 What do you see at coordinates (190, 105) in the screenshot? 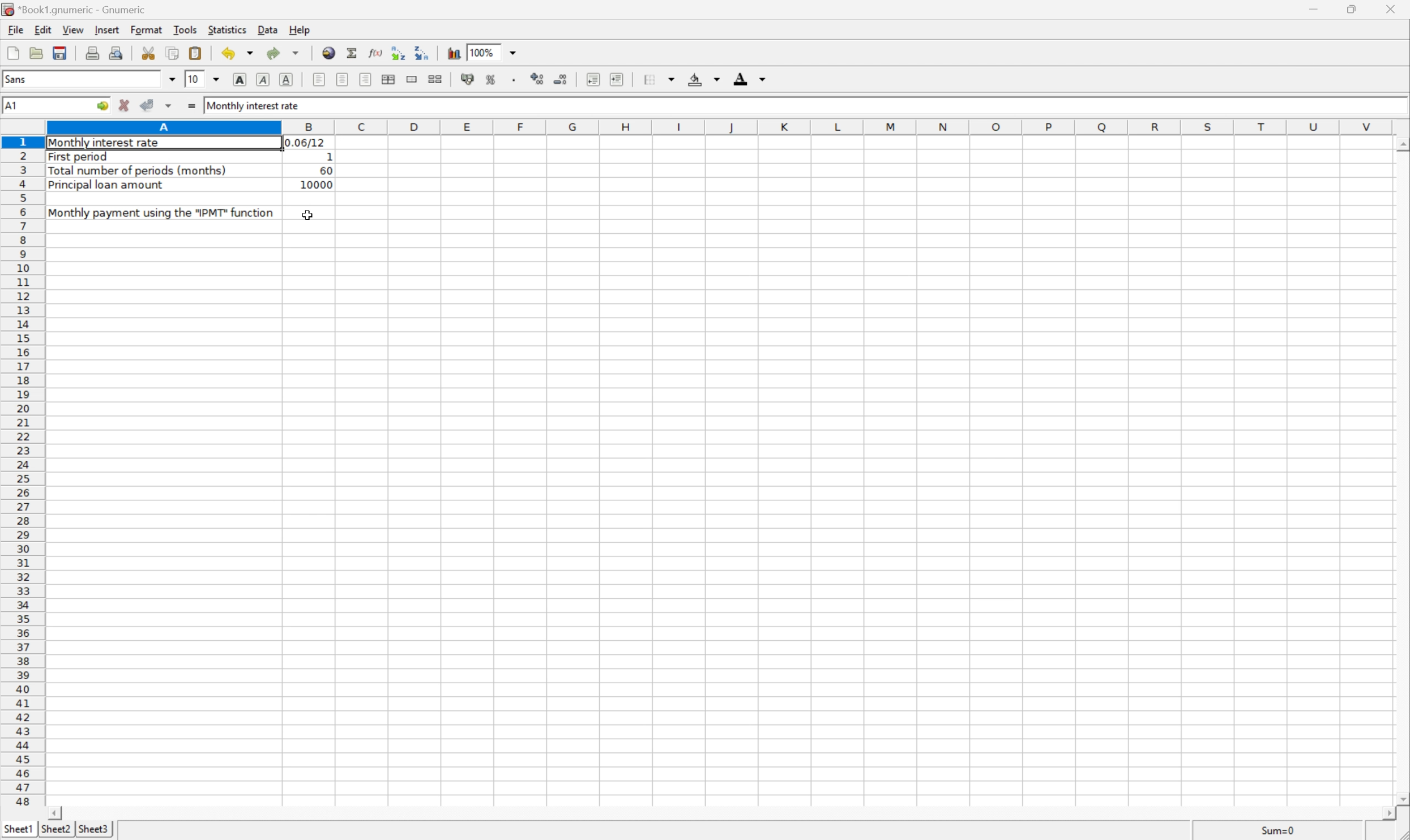
I see `Enter formula` at bounding box center [190, 105].